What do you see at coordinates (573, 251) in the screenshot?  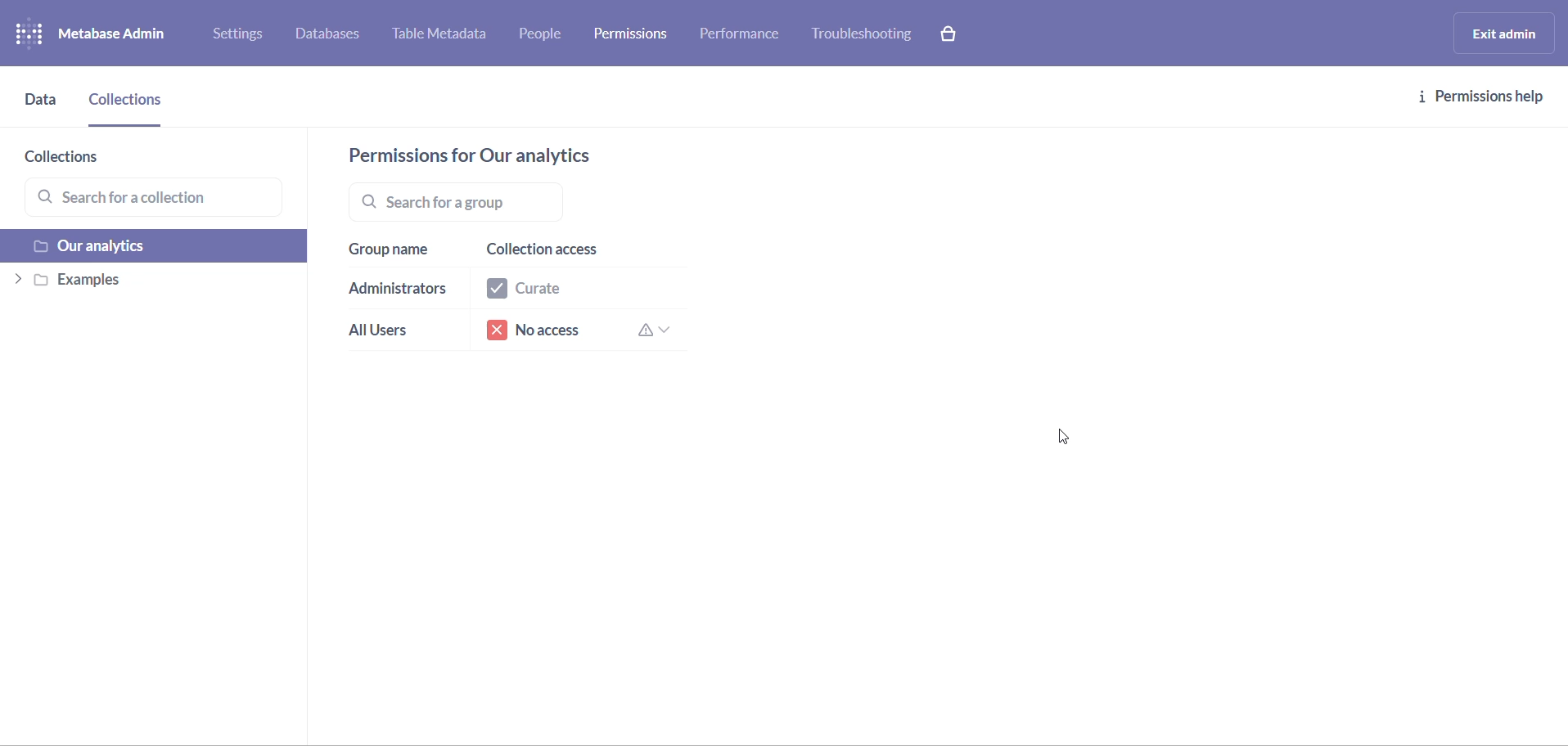 I see `collection access heading` at bounding box center [573, 251].